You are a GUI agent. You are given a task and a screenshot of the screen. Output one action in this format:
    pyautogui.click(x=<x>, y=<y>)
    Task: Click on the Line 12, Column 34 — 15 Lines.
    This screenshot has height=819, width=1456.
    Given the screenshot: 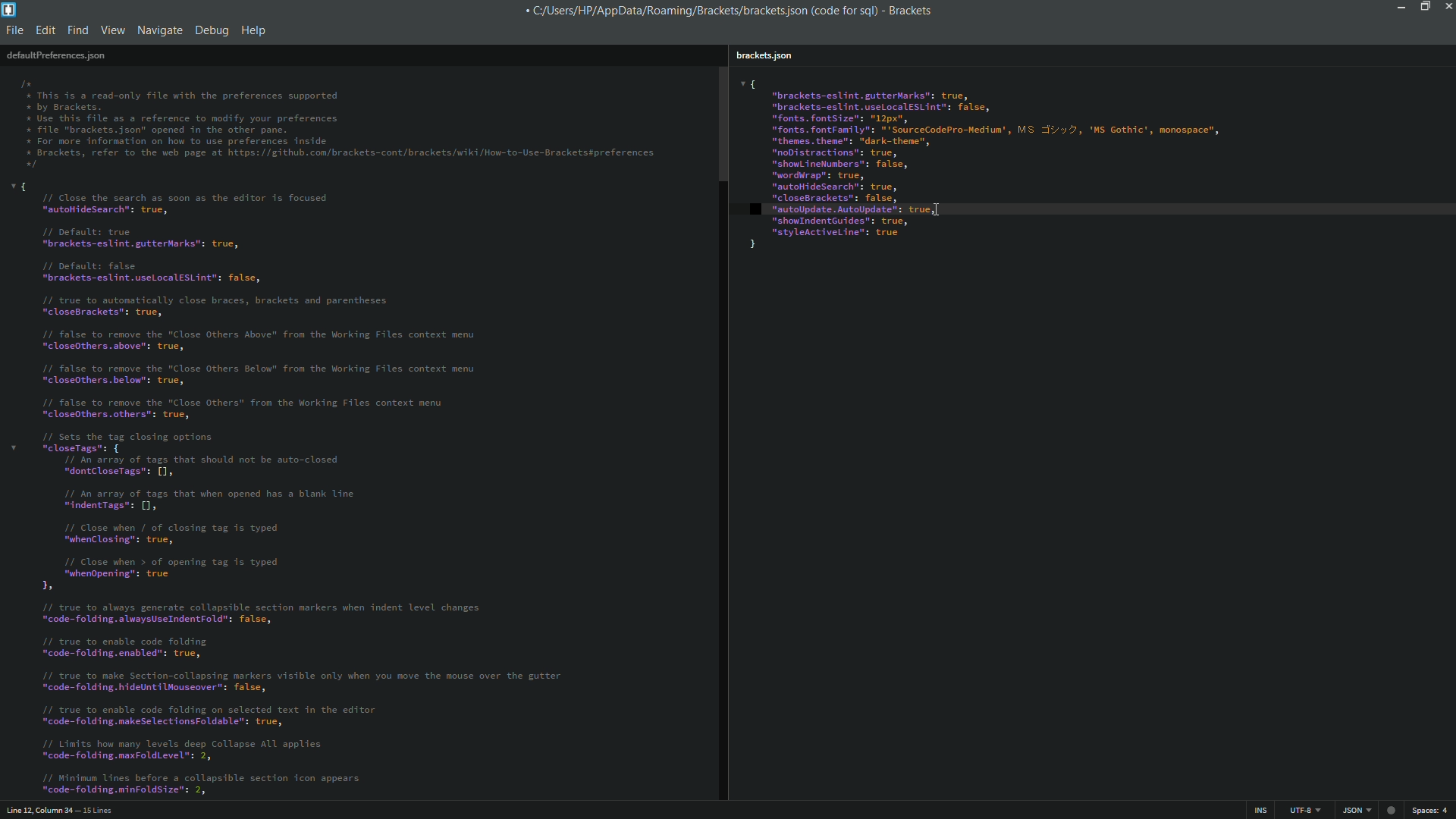 What is the action you would take?
    pyautogui.click(x=58, y=808)
    